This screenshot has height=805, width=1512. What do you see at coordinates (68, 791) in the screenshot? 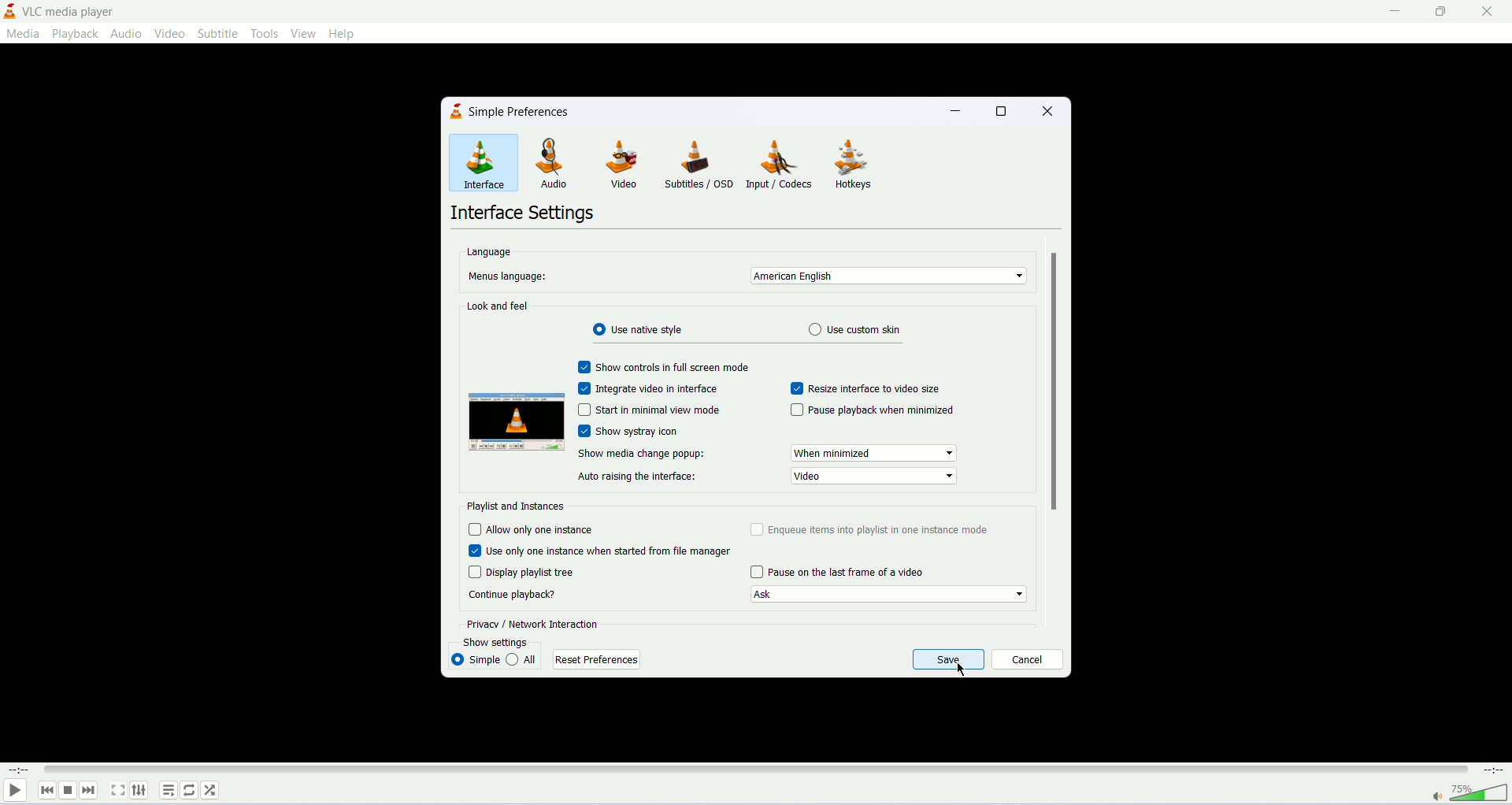
I see `stop` at bounding box center [68, 791].